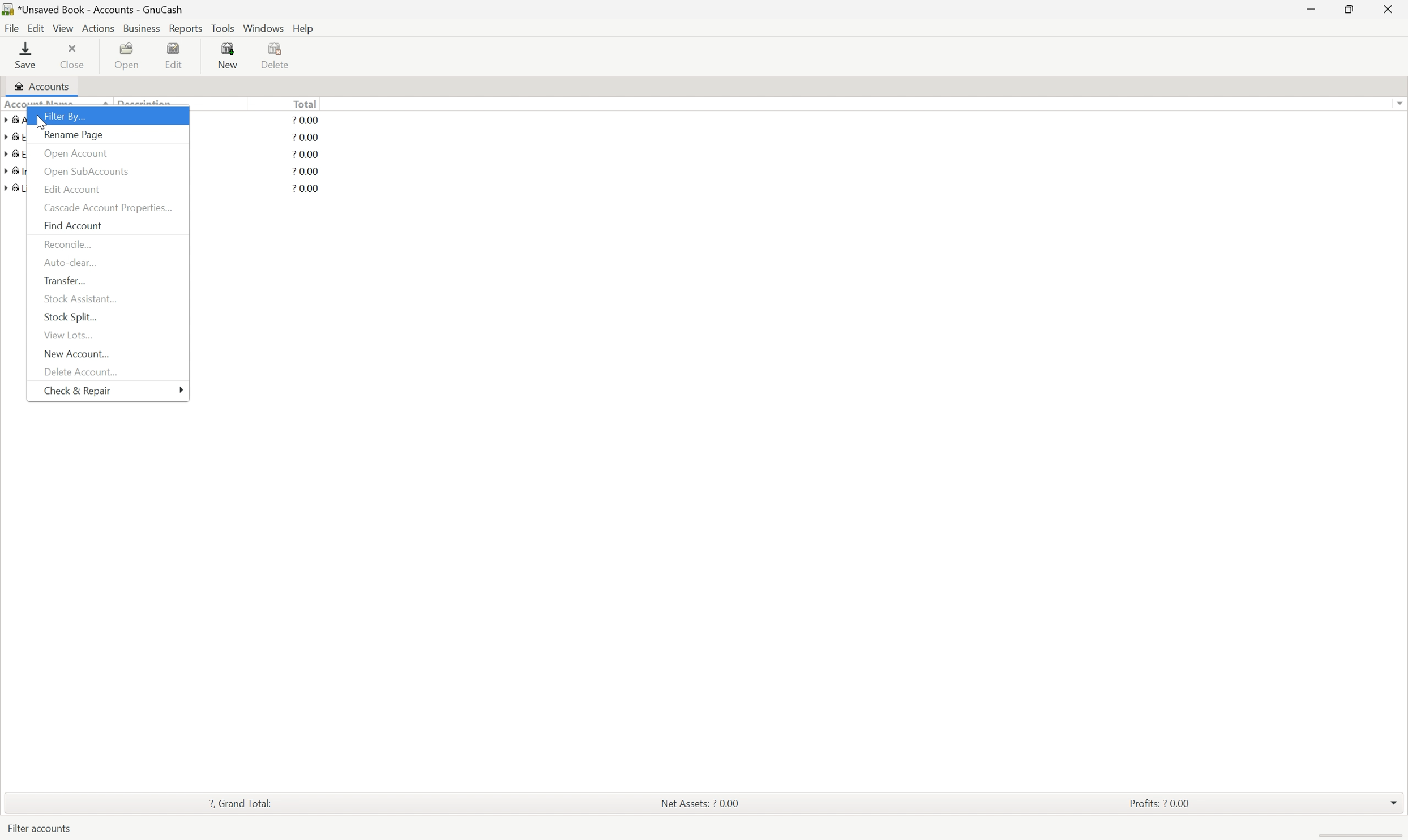 This screenshot has width=1408, height=840. What do you see at coordinates (41, 87) in the screenshot?
I see `Accounts` at bounding box center [41, 87].